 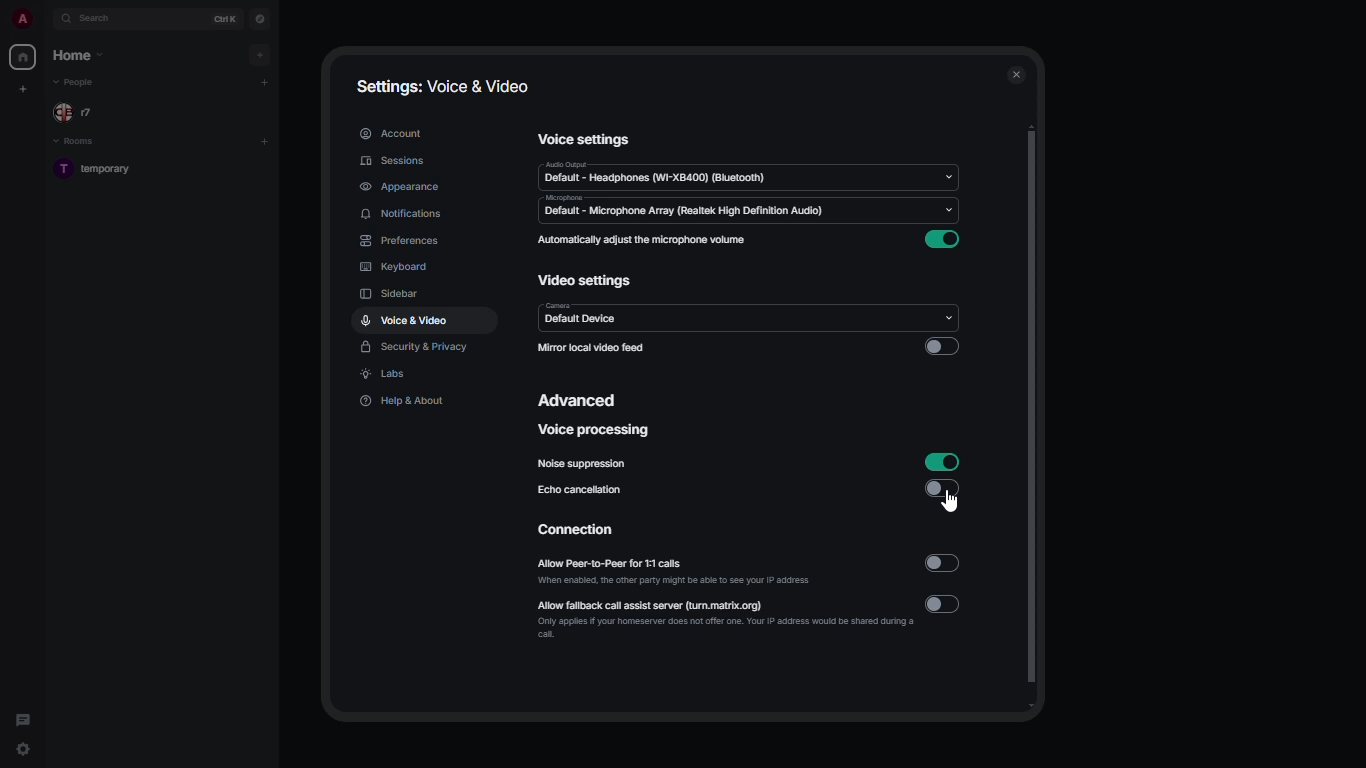 I want to click on rooms, so click(x=81, y=141).